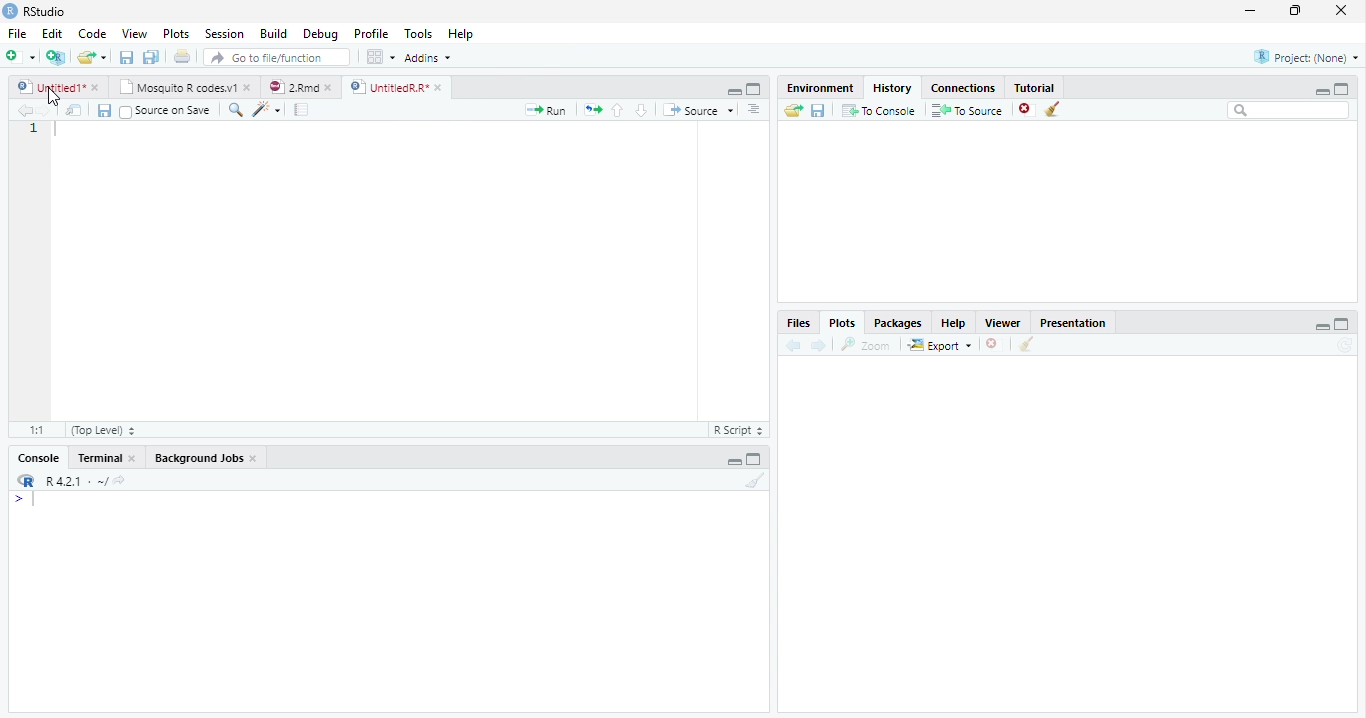 This screenshot has width=1366, height=718. Describe the element at coordinates (185, 88) in the screenshot. I see `Mosquito R Codes.v1` at that location.